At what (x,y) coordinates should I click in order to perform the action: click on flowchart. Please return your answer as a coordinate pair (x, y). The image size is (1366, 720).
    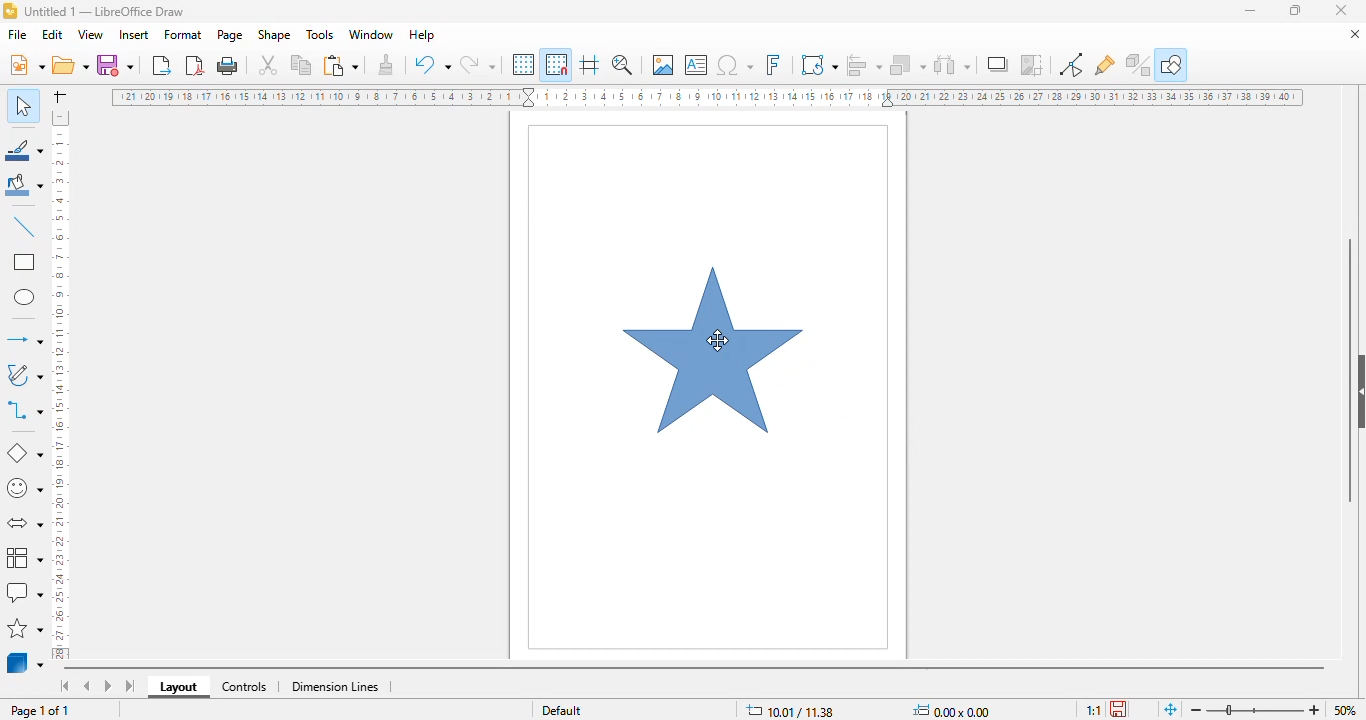
    Looking at the image, I should click on (23, 557).